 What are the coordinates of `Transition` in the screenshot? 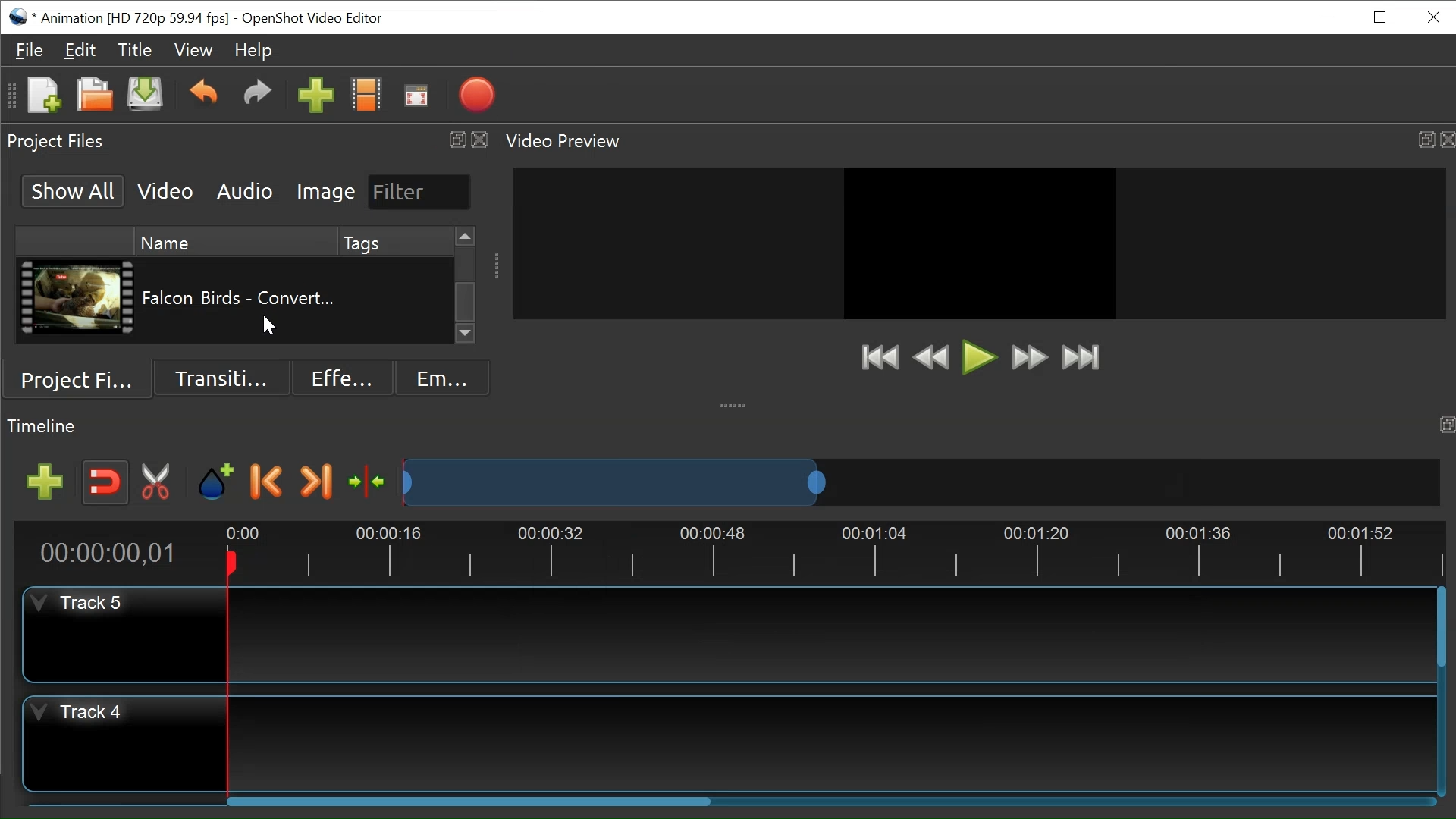 It's located at (222, 378).